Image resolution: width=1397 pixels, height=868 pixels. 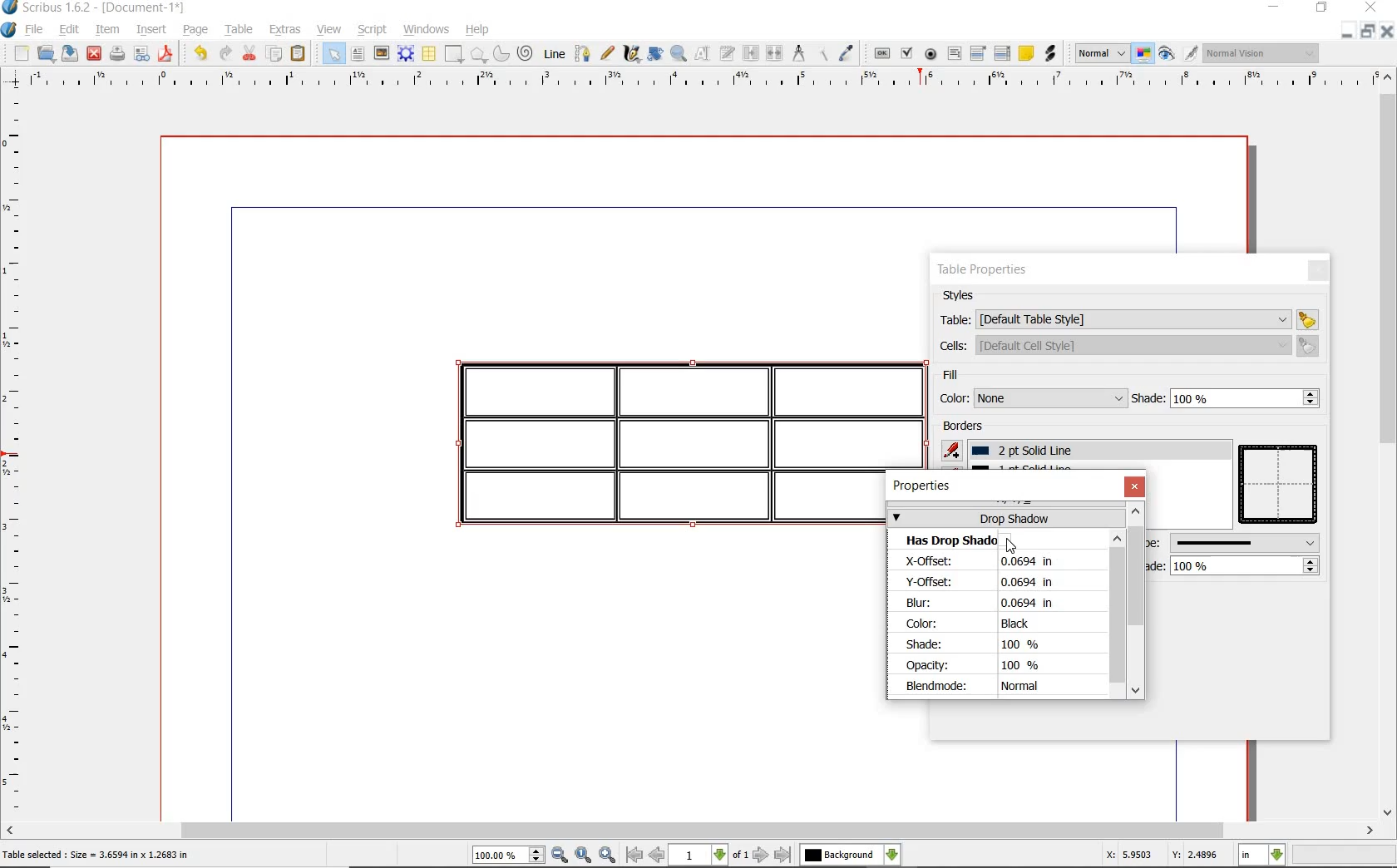 What do you see at coordinates (167, 55) in the screenshot?
I see `save as pdf` at bounding box center [167, 55].